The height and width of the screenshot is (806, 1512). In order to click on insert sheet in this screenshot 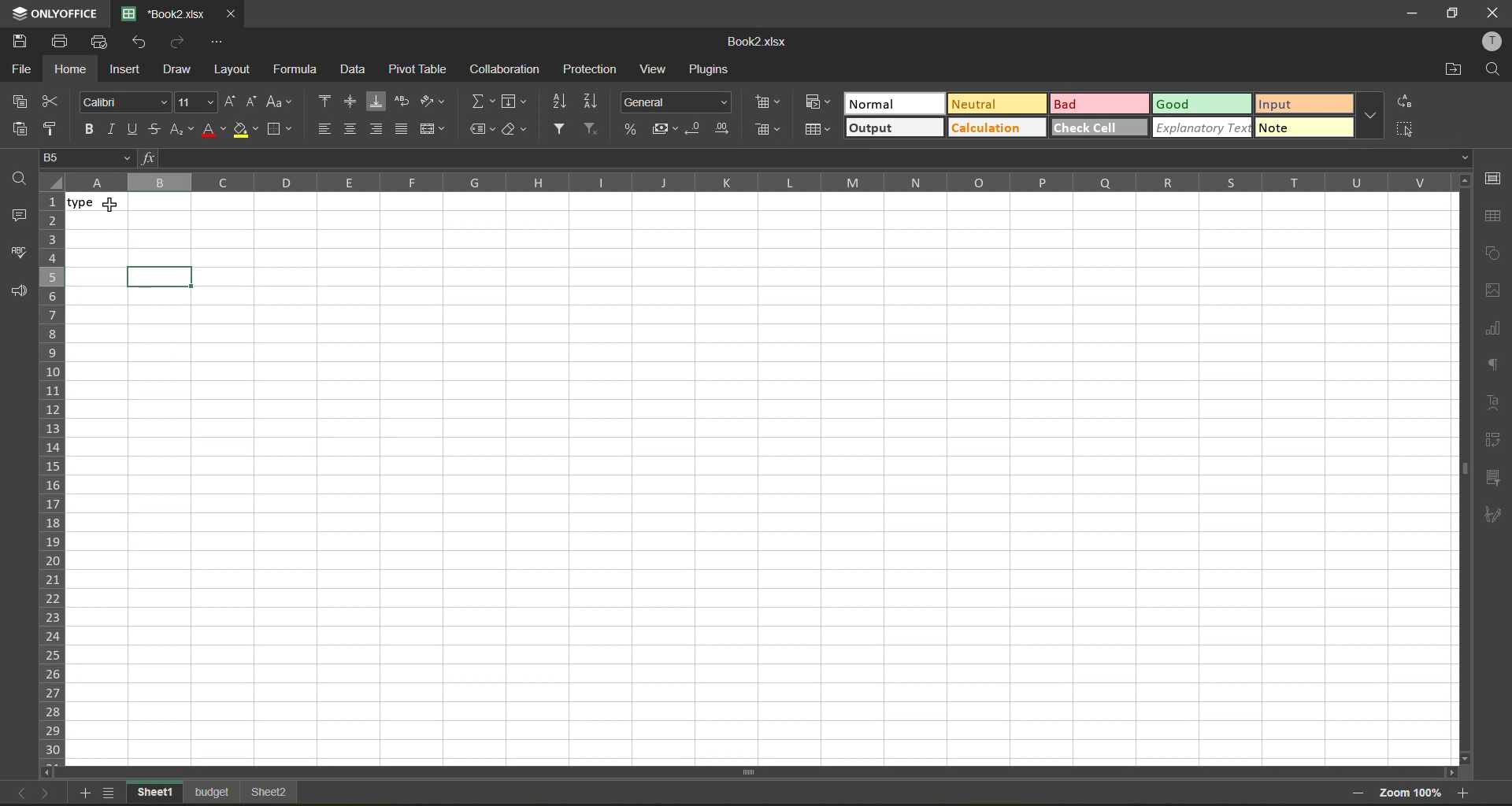, I will do `click(87, 794)`.